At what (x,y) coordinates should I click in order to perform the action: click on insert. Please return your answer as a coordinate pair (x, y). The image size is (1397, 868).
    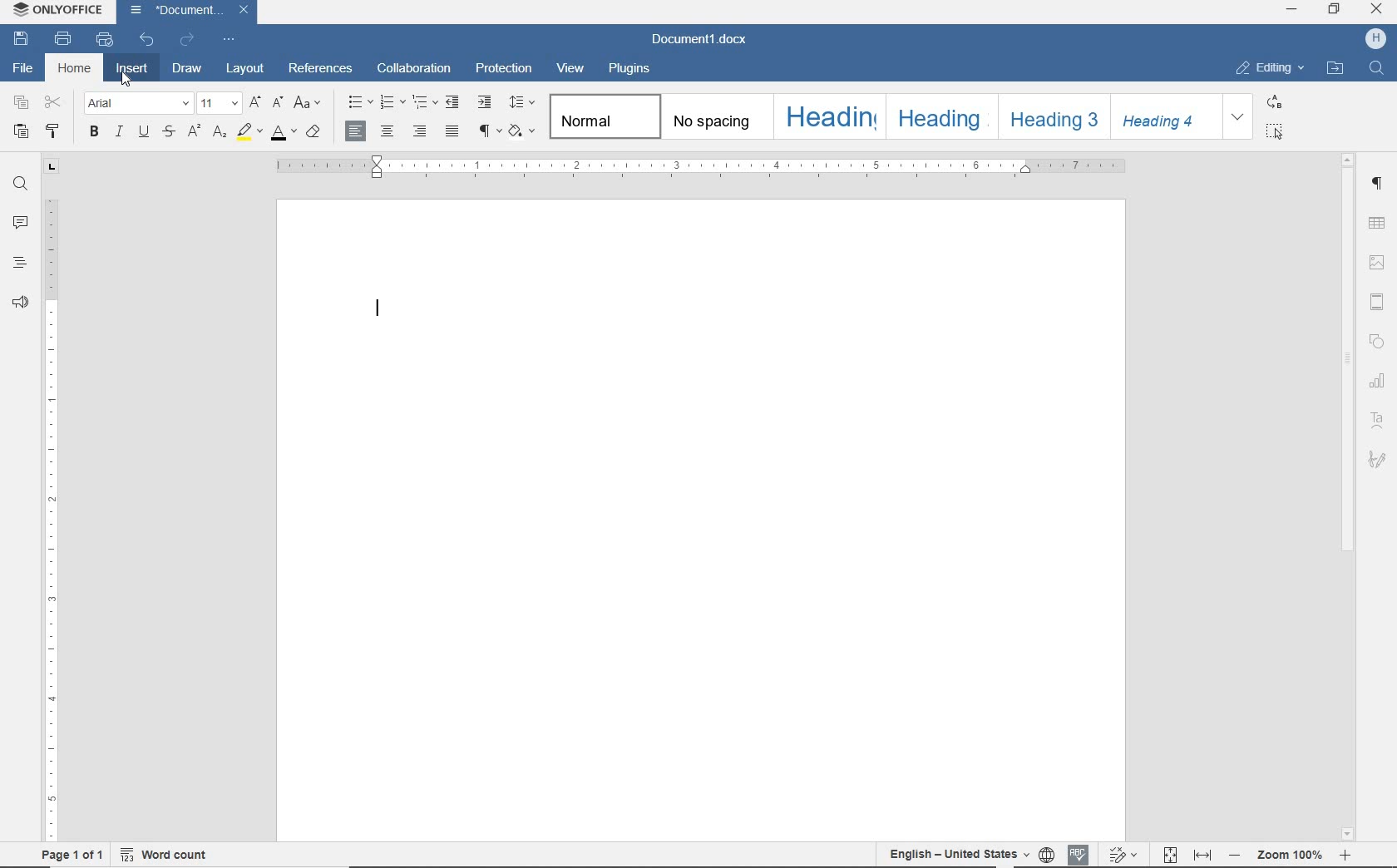
    Looking at the image, I should click on (131, 71).